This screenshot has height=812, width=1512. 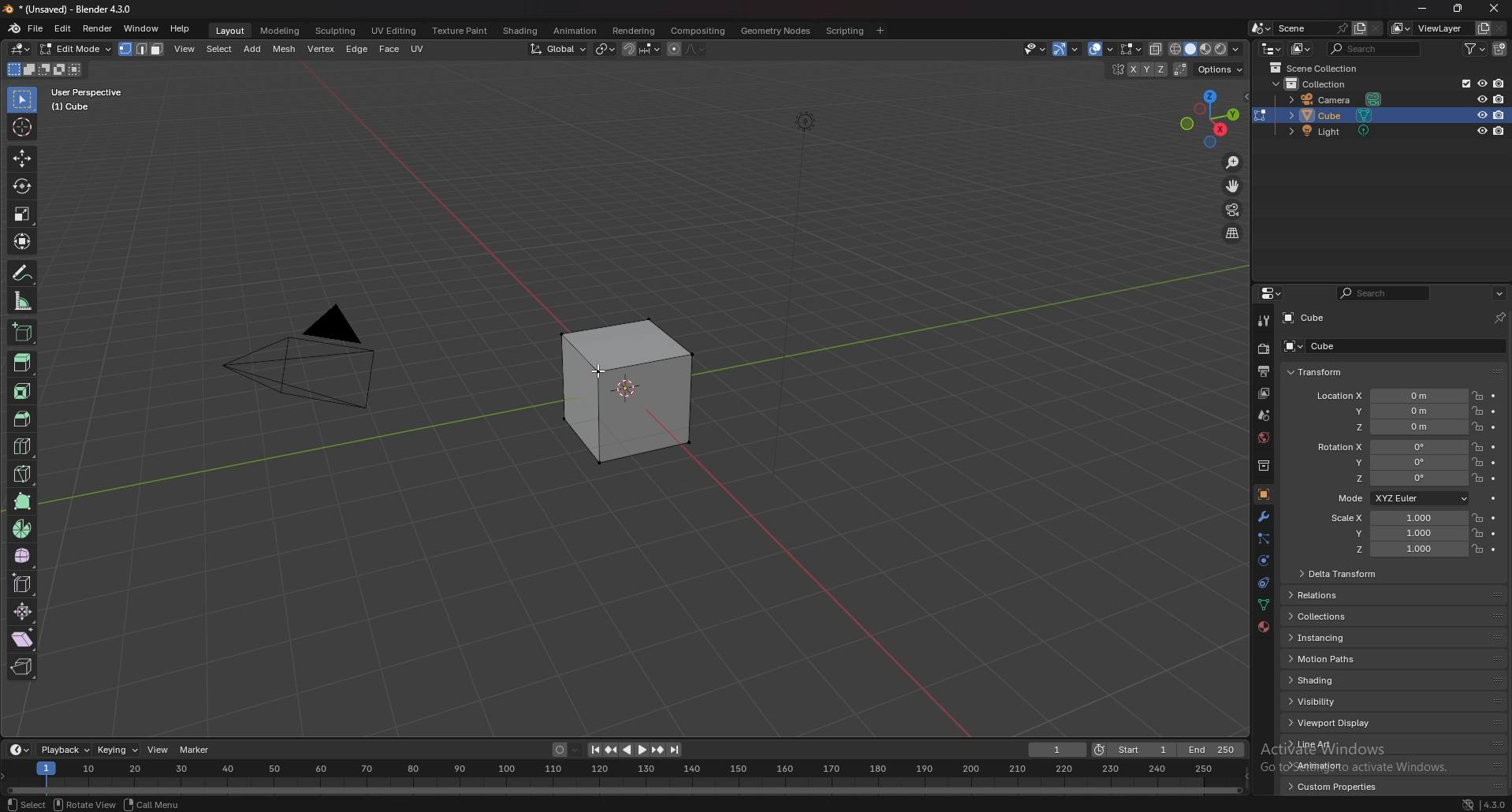 What do you see at coordinates (1181, 69) in the screenshot?
I see `auto merge vertices` at bounding box center [1181, 69].